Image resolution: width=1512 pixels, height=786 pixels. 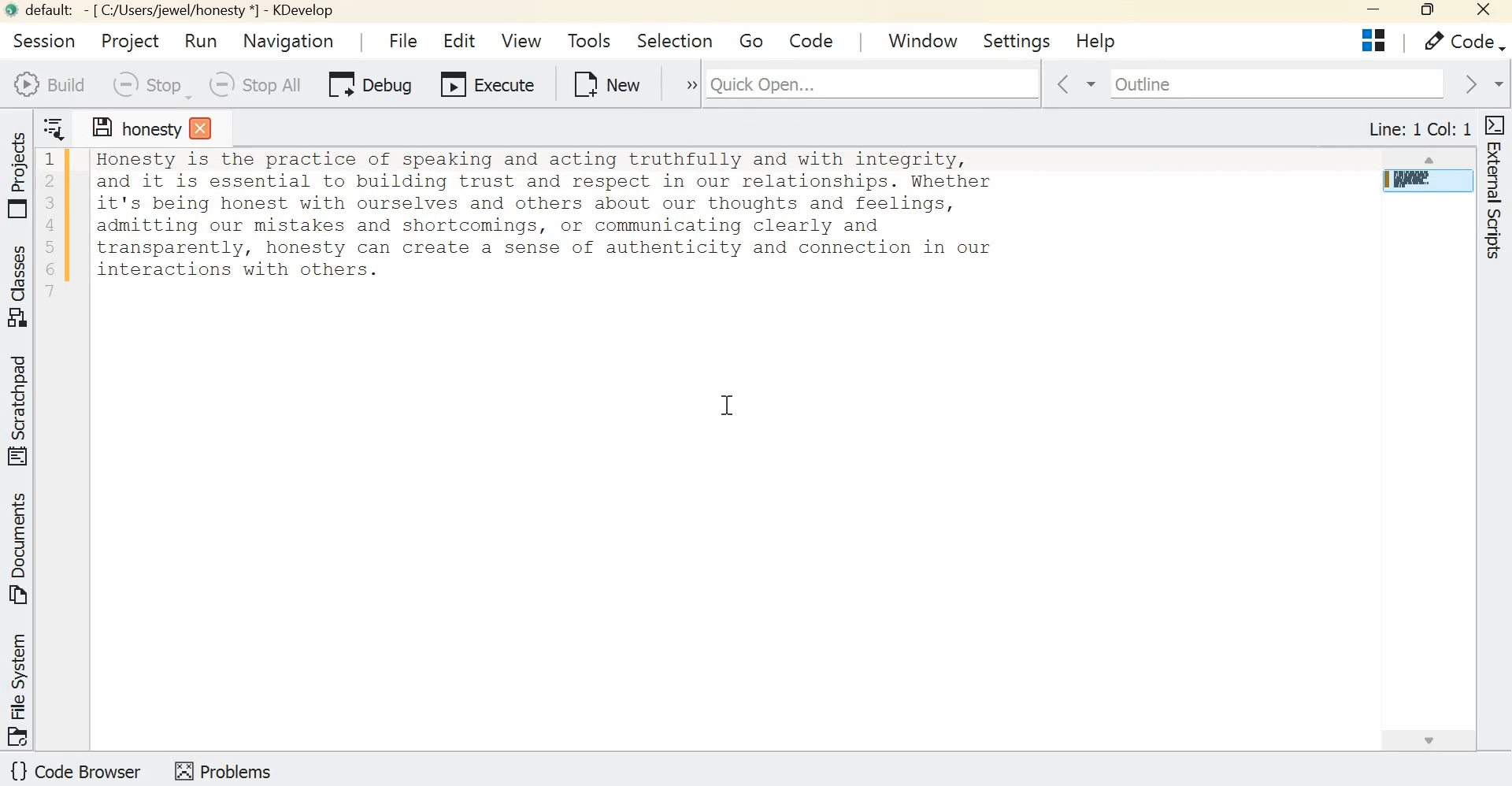 I want to click on Window, so click(x=928, y=39).